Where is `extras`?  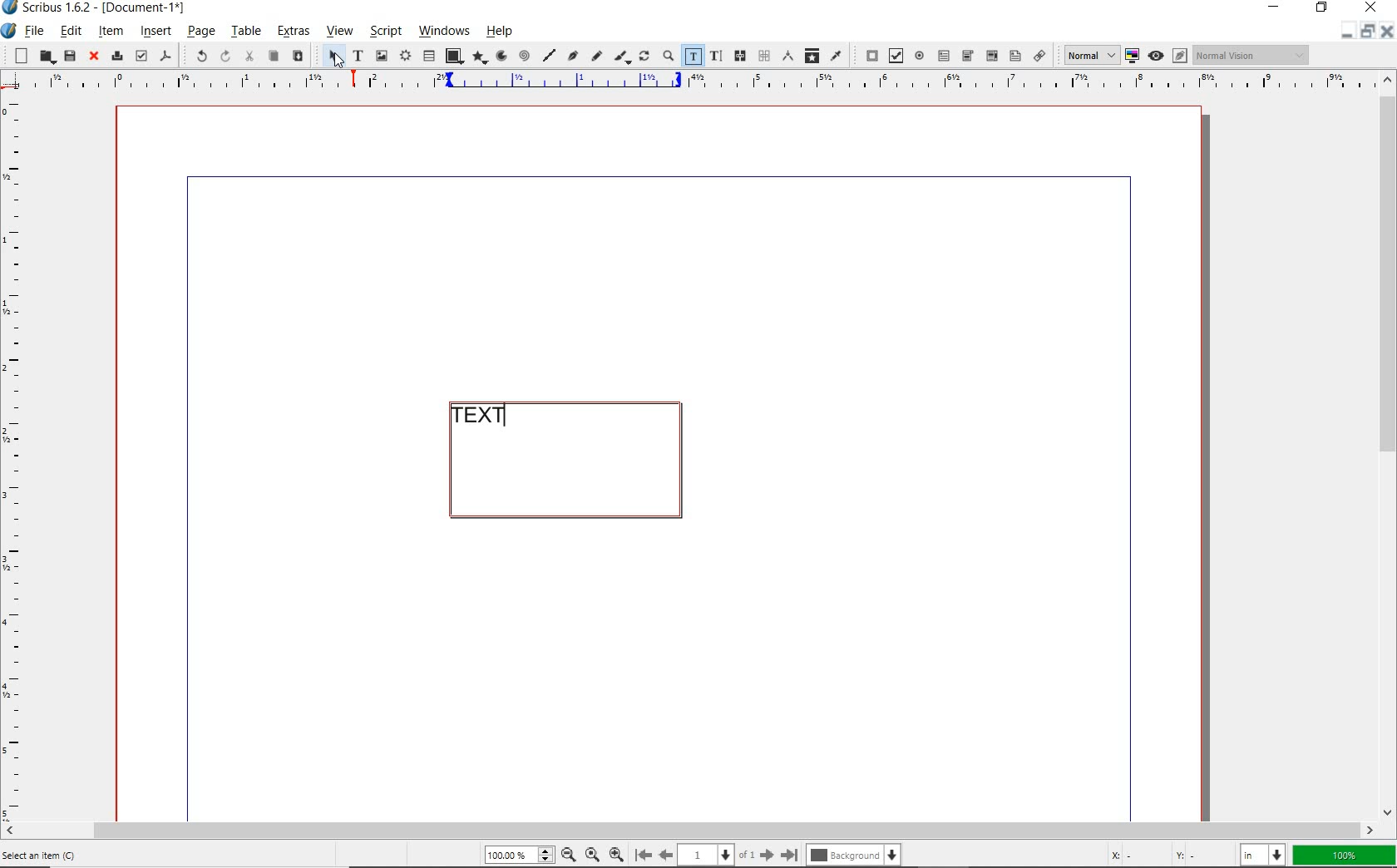 extras is located at coordinates (295, 32).